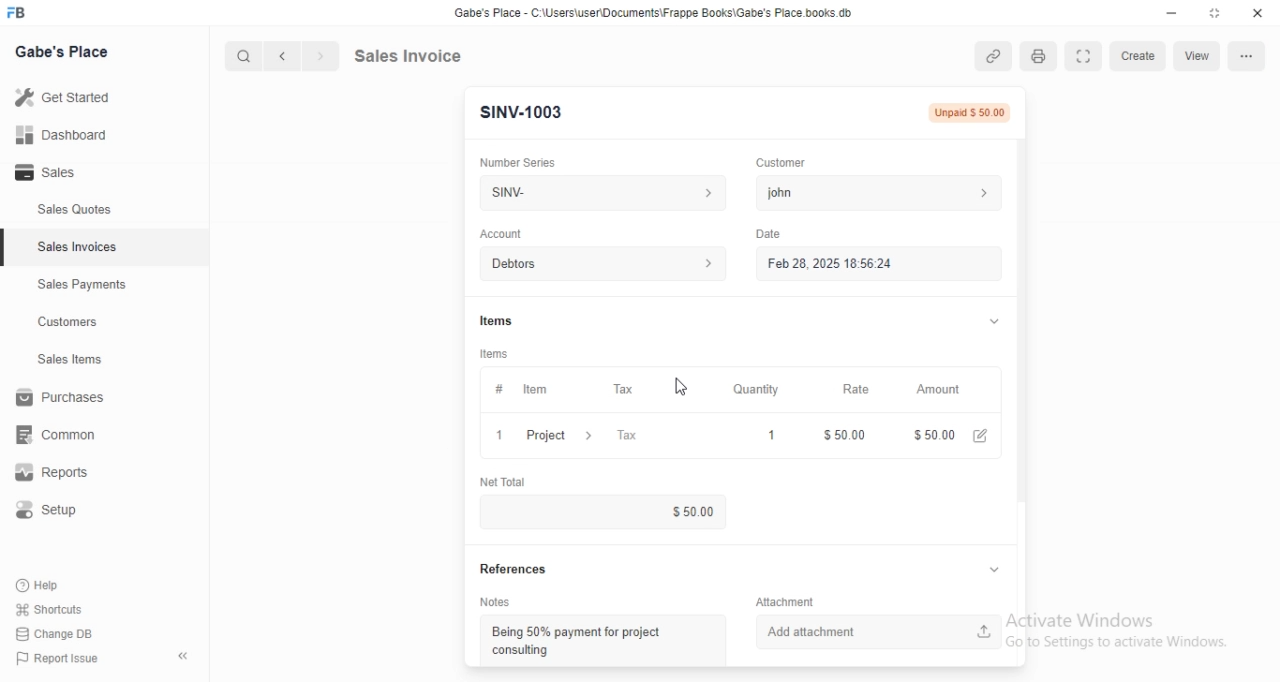  I want to click on SINV-, so click(602, 191).